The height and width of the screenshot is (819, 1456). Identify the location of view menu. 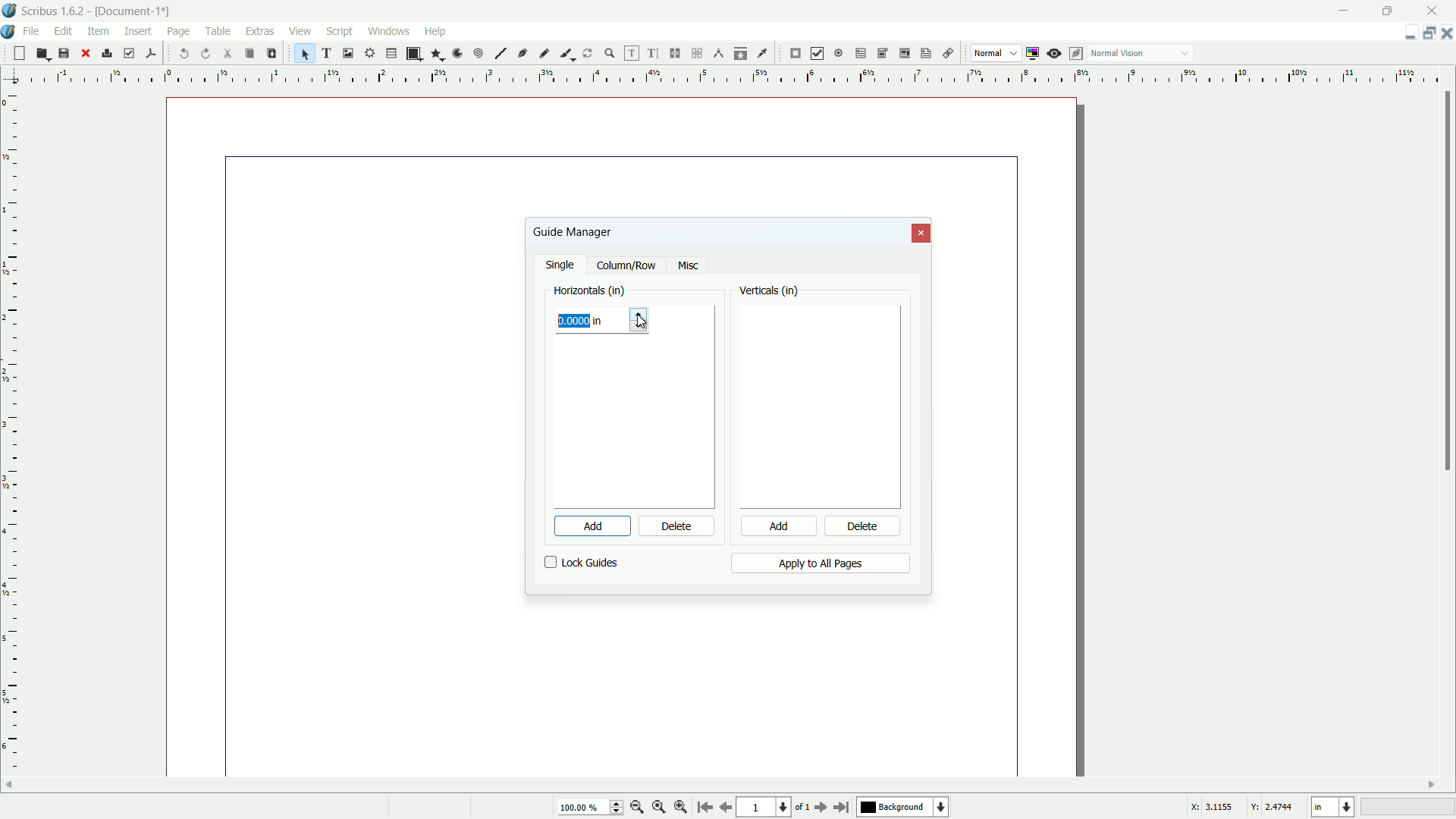
(298, 31).